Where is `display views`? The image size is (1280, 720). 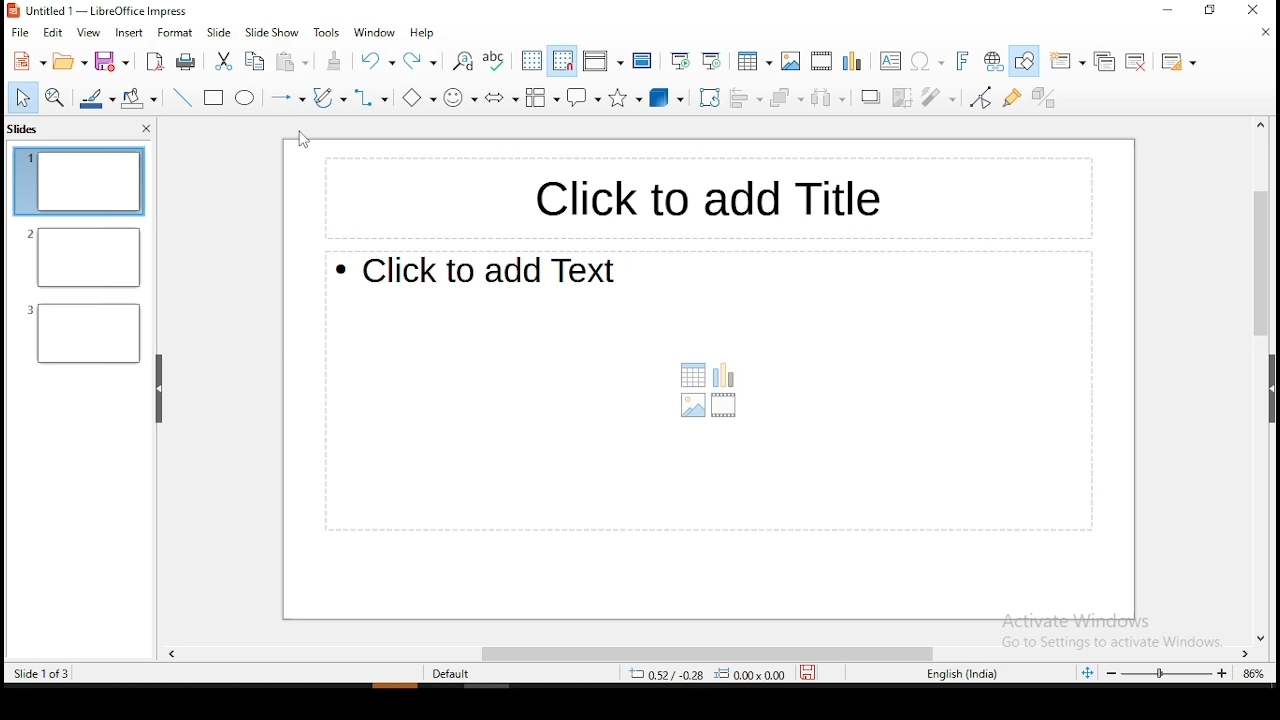 display views is located at coordinates (602, 62).